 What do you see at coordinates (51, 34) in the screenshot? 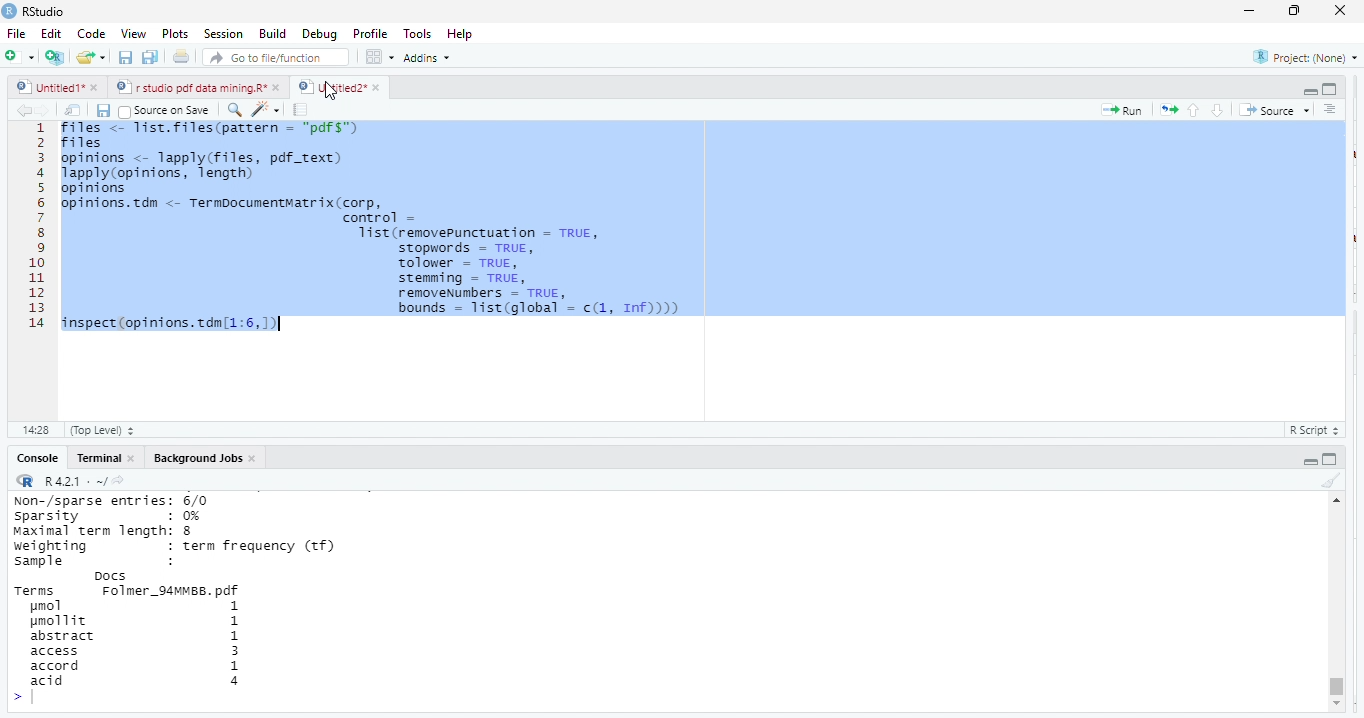
I see `edit` at bounding box center [51, 34].